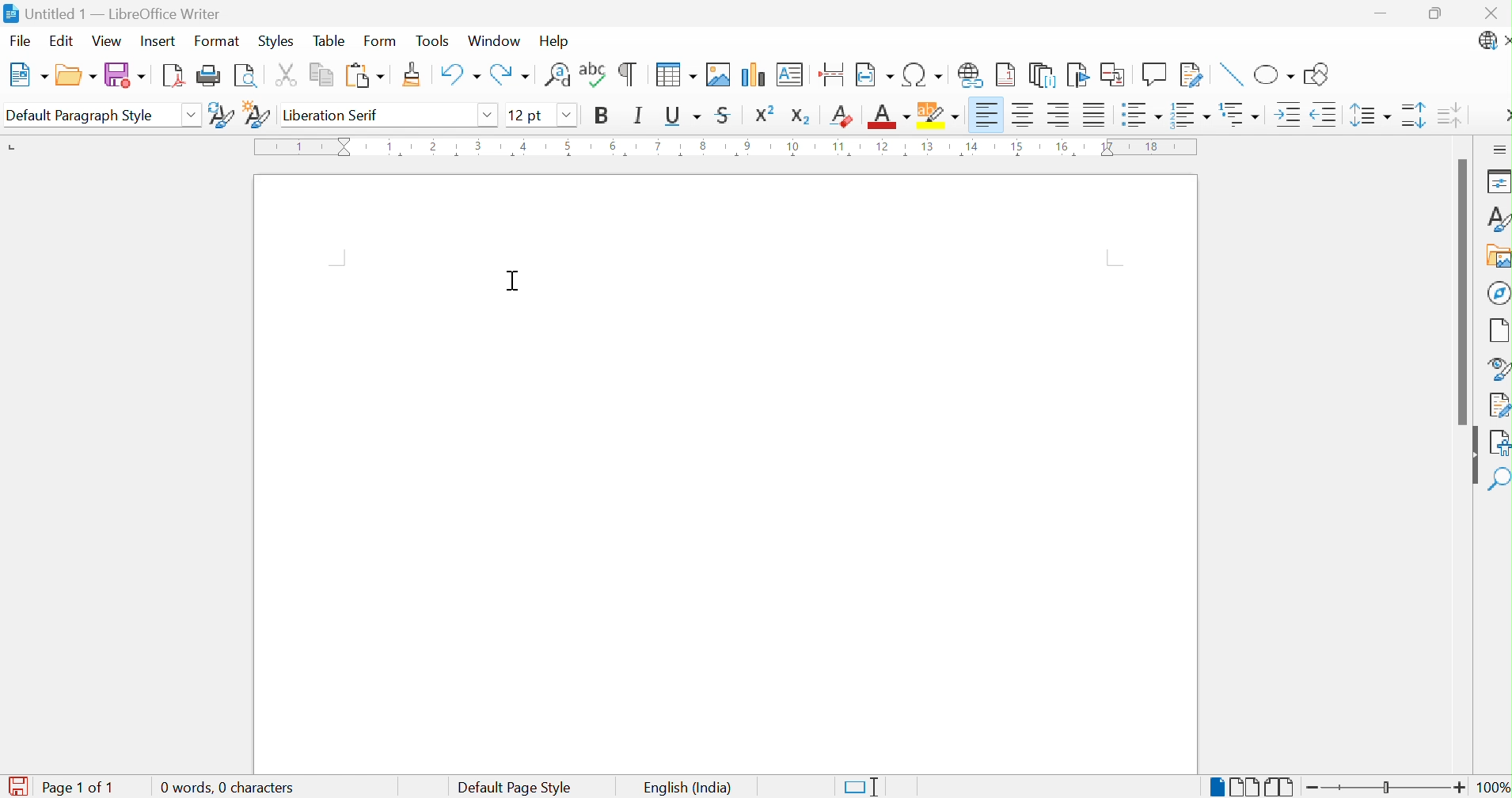 This screenshot has width=1512, height=798. Describe the element at coordinates (1078, 74) in the screenshot. I see `Bookmark` at that location.